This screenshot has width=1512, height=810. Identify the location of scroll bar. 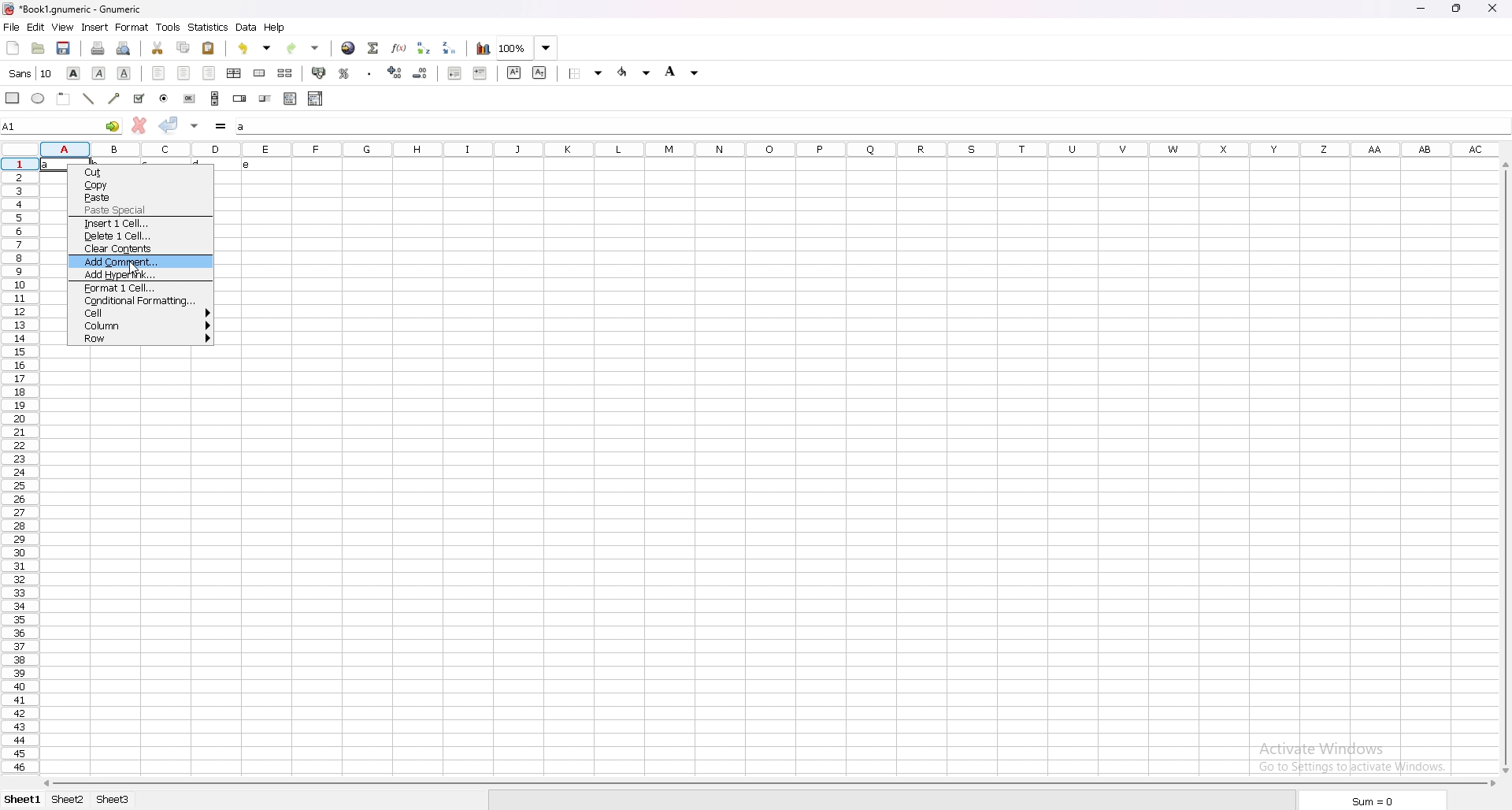
(772, 786).